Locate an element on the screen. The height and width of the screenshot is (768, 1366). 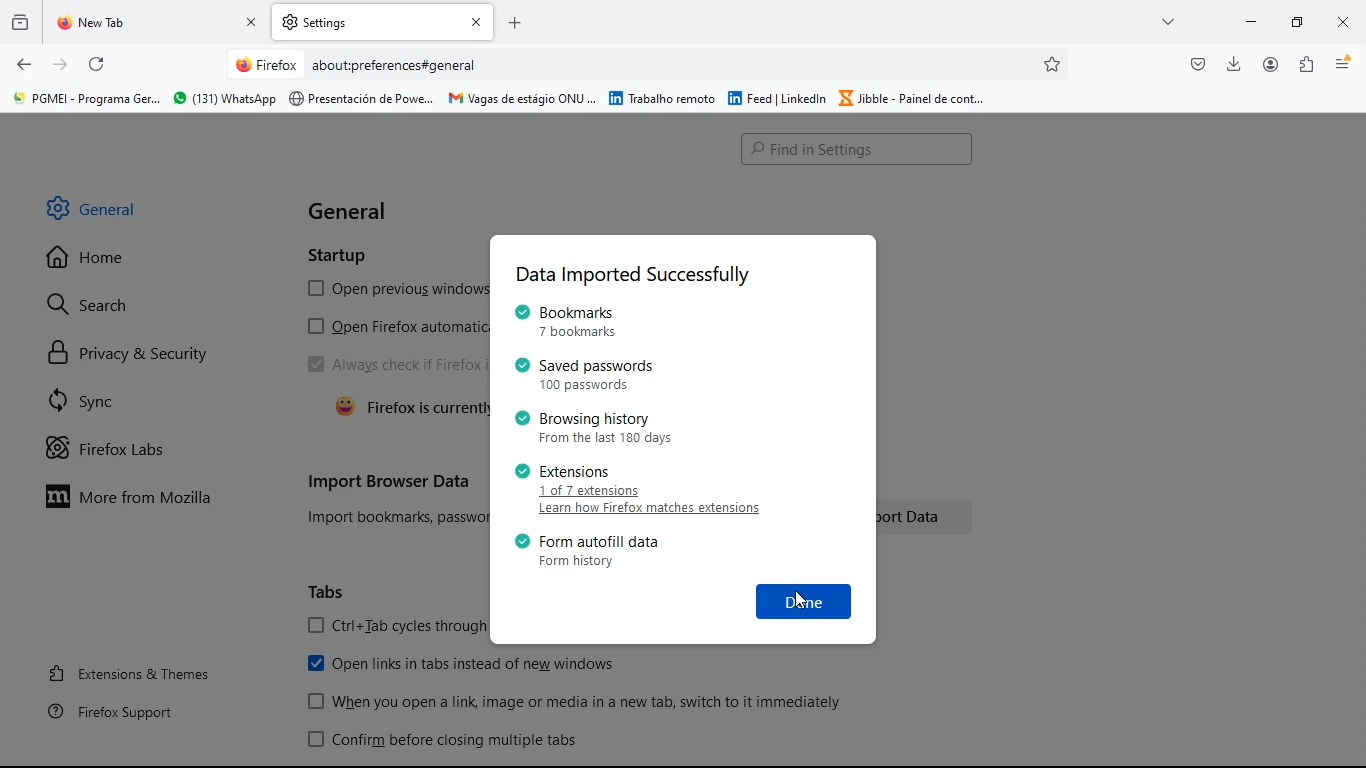
&' PGMEI - Programa Ger. is located at coordinates (84, 99).